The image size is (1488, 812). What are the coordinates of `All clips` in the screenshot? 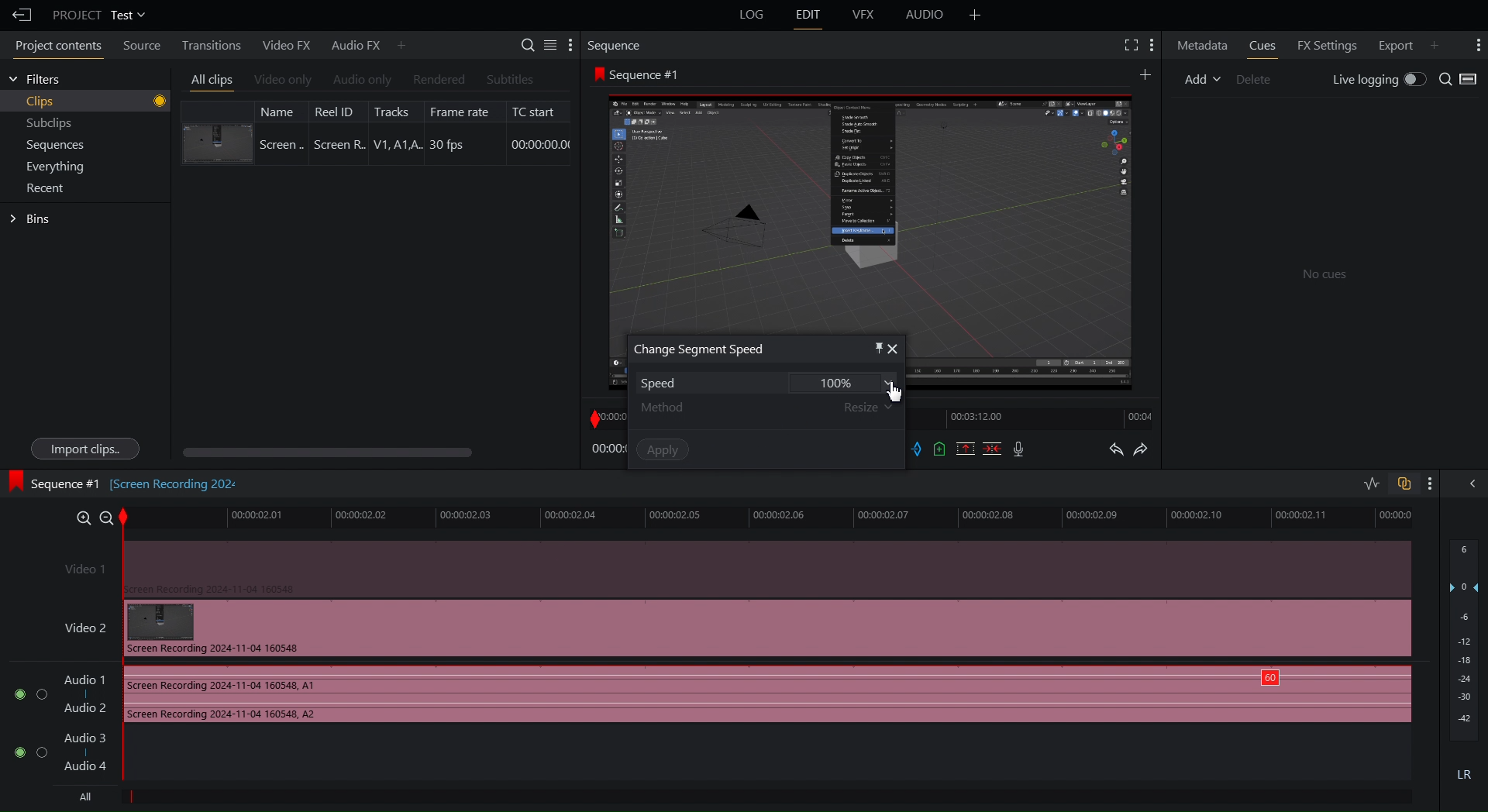 It's located at (212, 81).